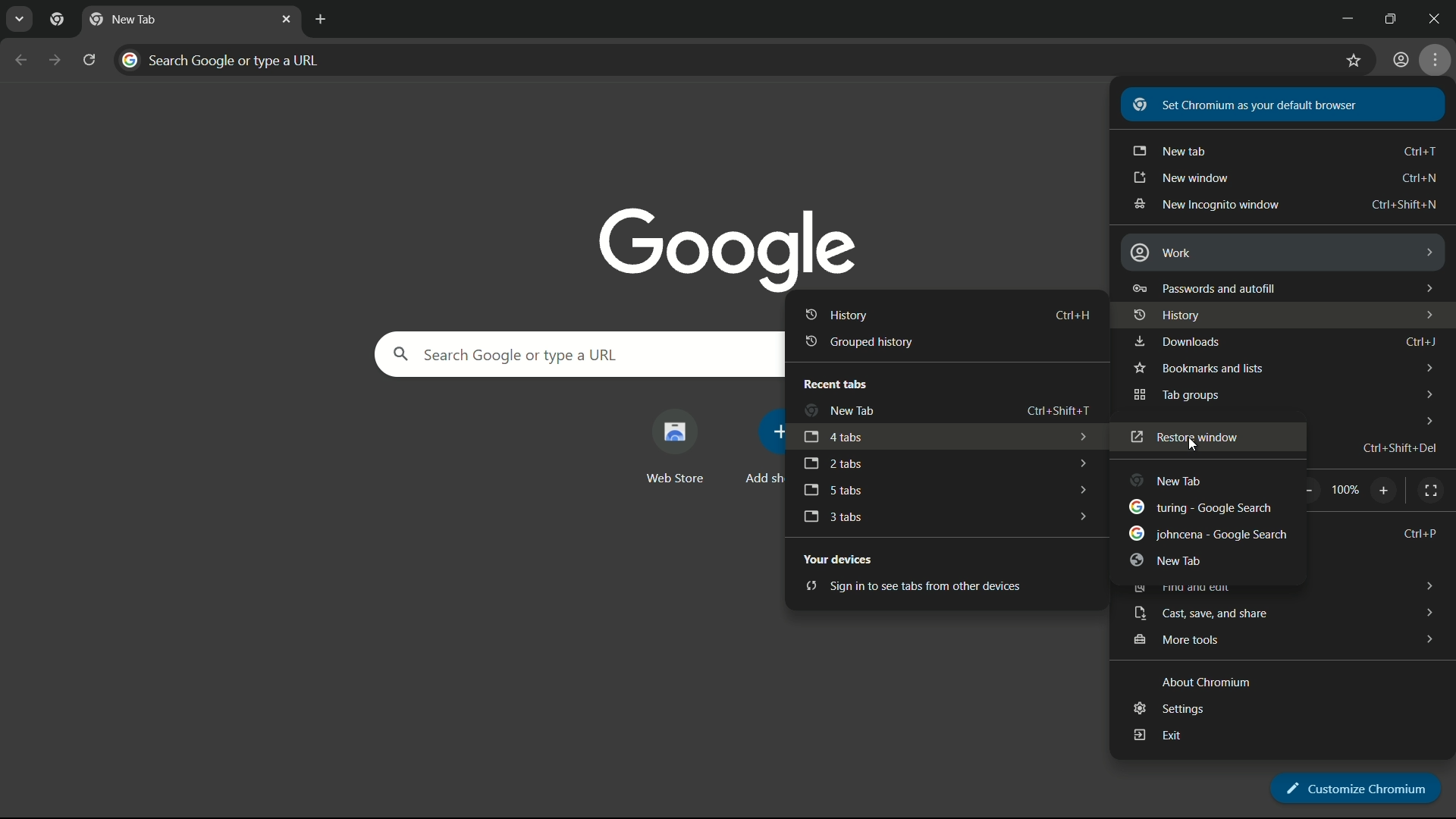 The image size is (1456, 819). What do you see at coordinates (1426, 249) in the screenshot?
I see `dropdown arrows` at bounding box center [1426, 249].